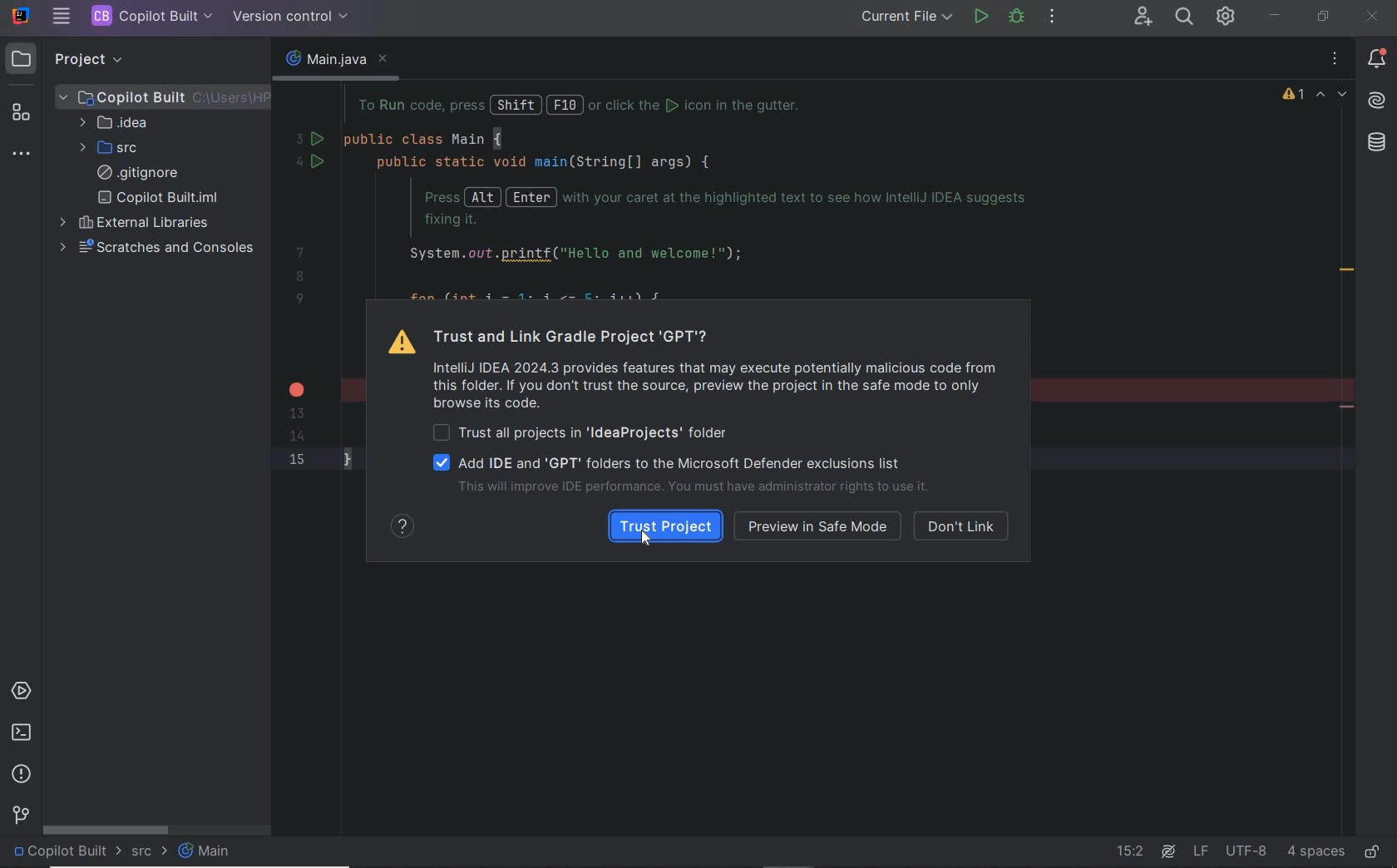 This screenshot has width=1397, height=868. Describe the element at coordinates (151, 852) in the screenshot. I see `src` at that location.